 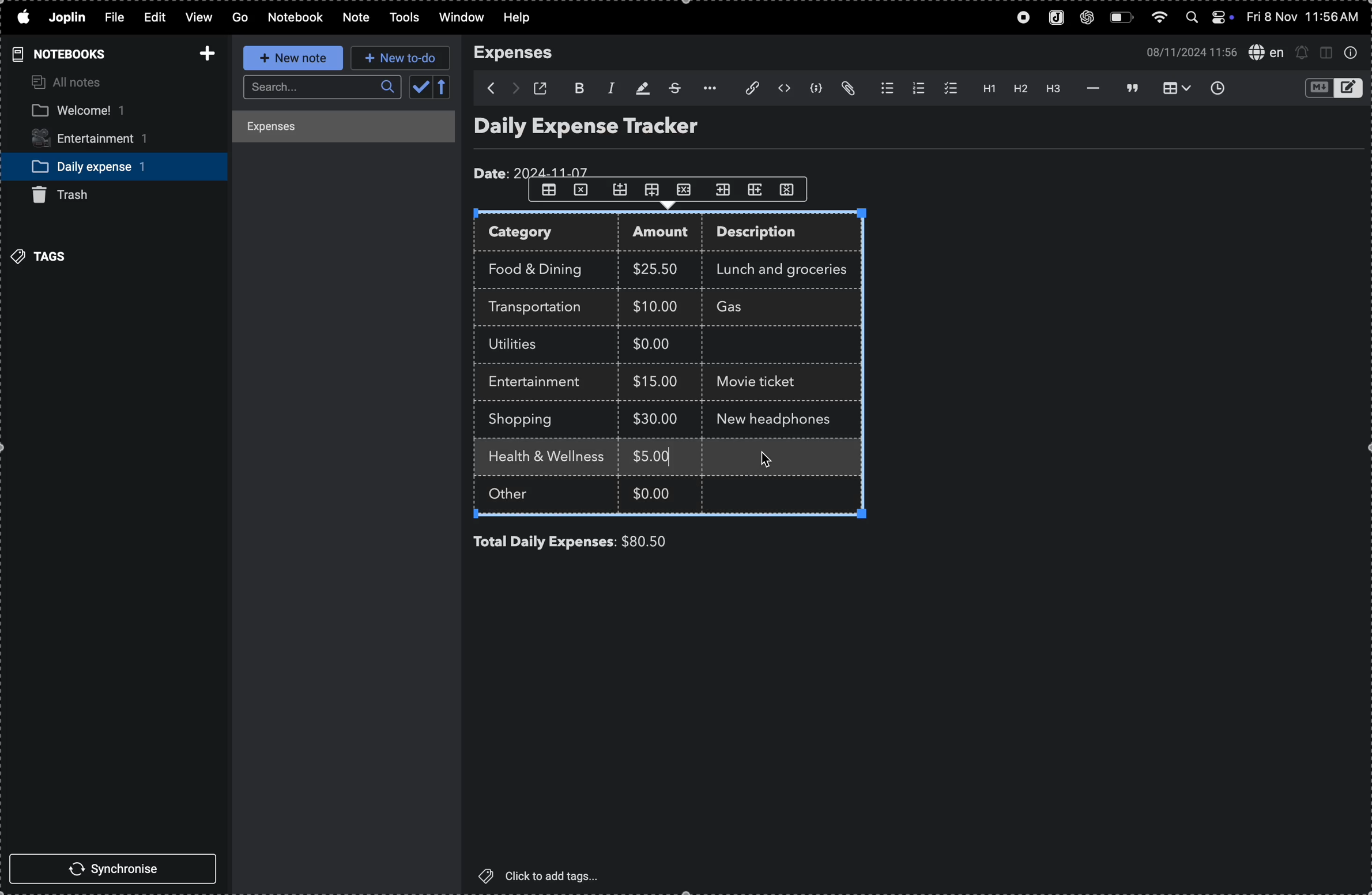 What do you see at coordinates (196, 18) in the screenshot?
I see `view` at bounding box center [196, 18].